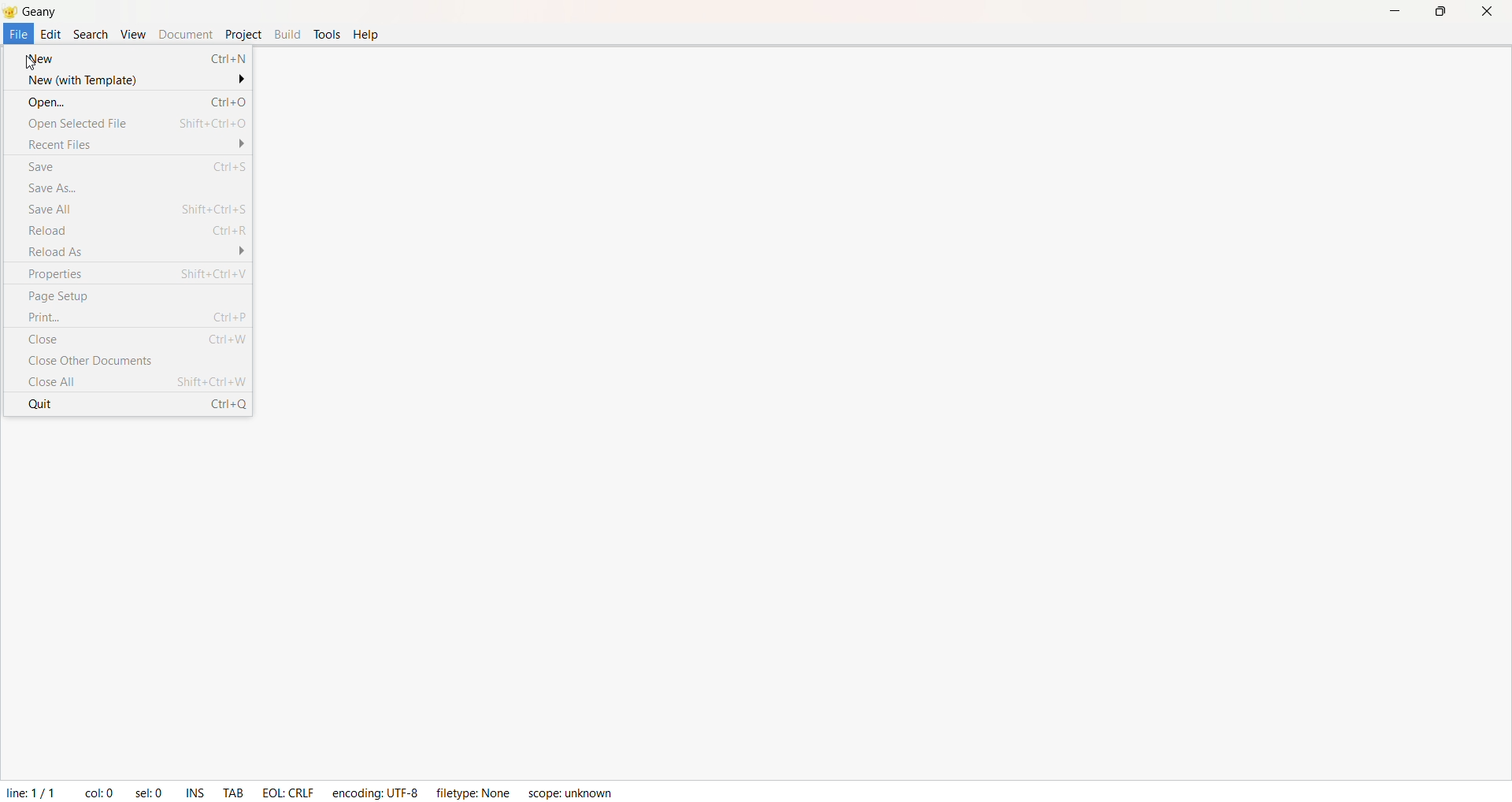 The width and height of the screenshot is (1512, 802). I want to click on coding space, so click(898, 413).